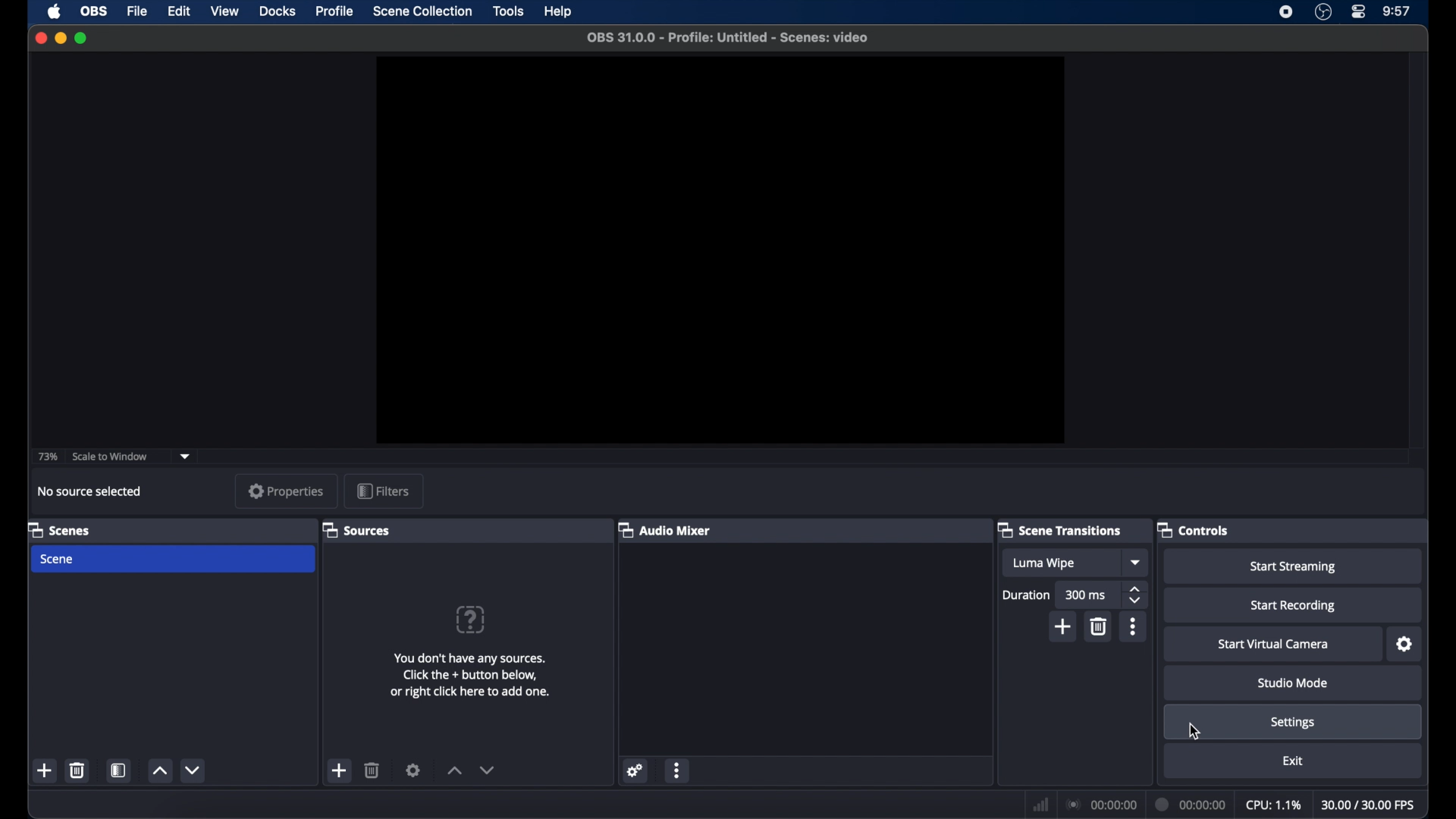 This screenshot has height=819, width=1456. What do you see at coordinates (1273, 804) in the screenshot?
I see `cpu` at bounding box center [1273, 804].